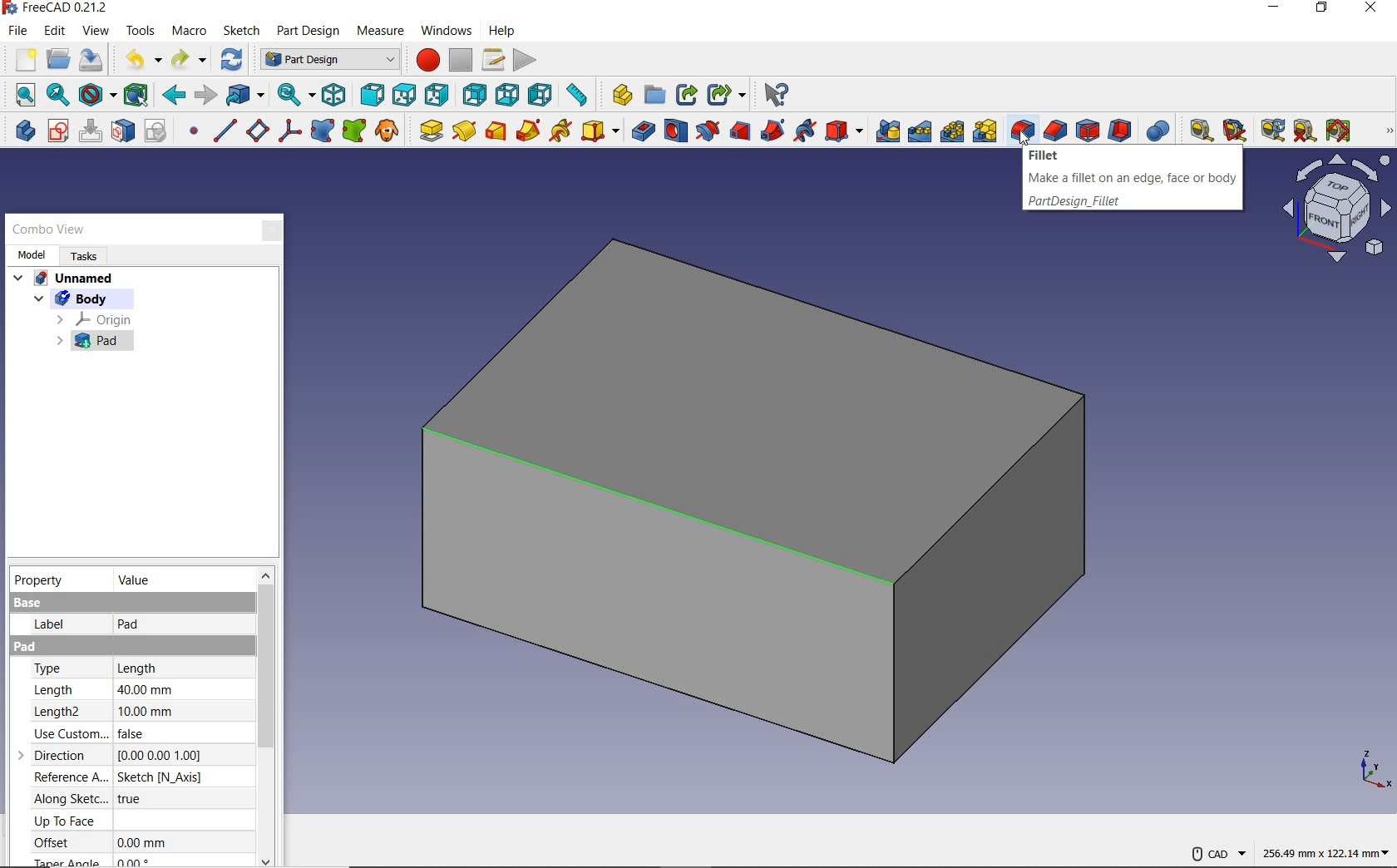 The image size is (1397, 868). Describe the element at coordinates (65, 777) in the screenshot. I see `reference` at that location.